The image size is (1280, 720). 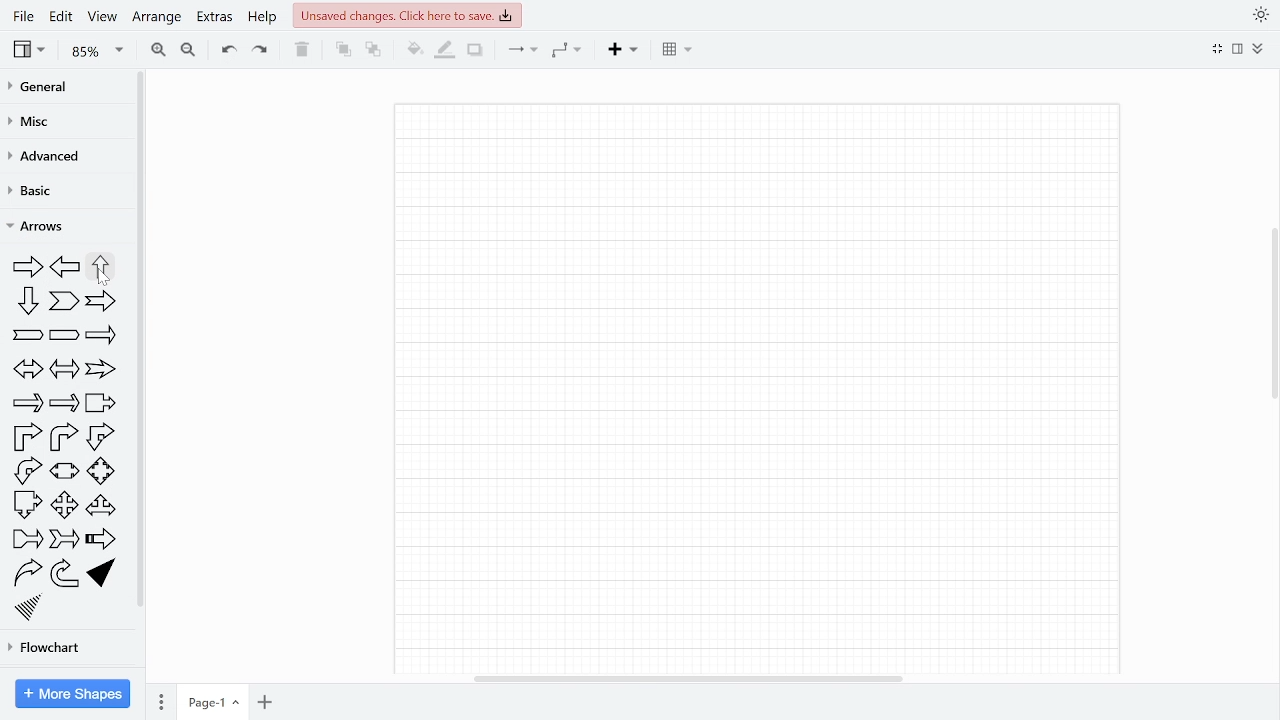 What do you see at coordinates (52, 644) in the screenshot?
I see `Flowchart` at bounding box center [52, 644].